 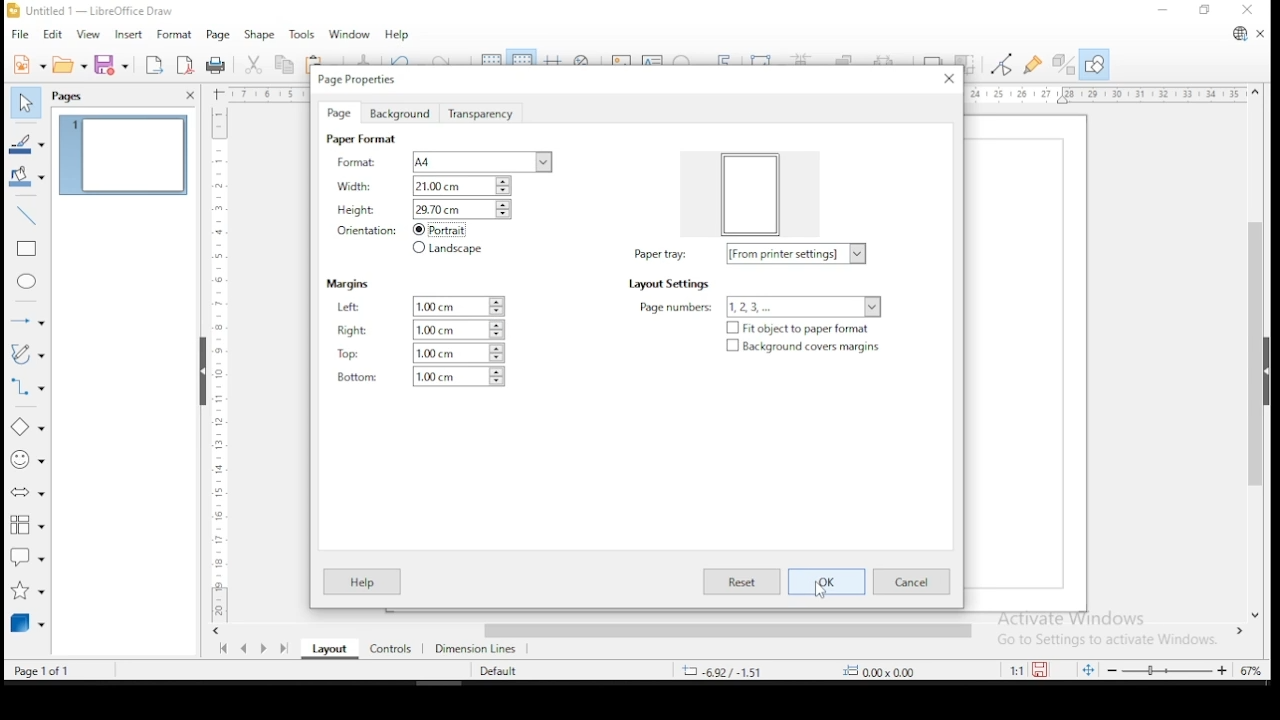 What do you see at coordinates (1093, 65) in the screenshot?
I see `show draw functions` at bounding box center [1093, 65].